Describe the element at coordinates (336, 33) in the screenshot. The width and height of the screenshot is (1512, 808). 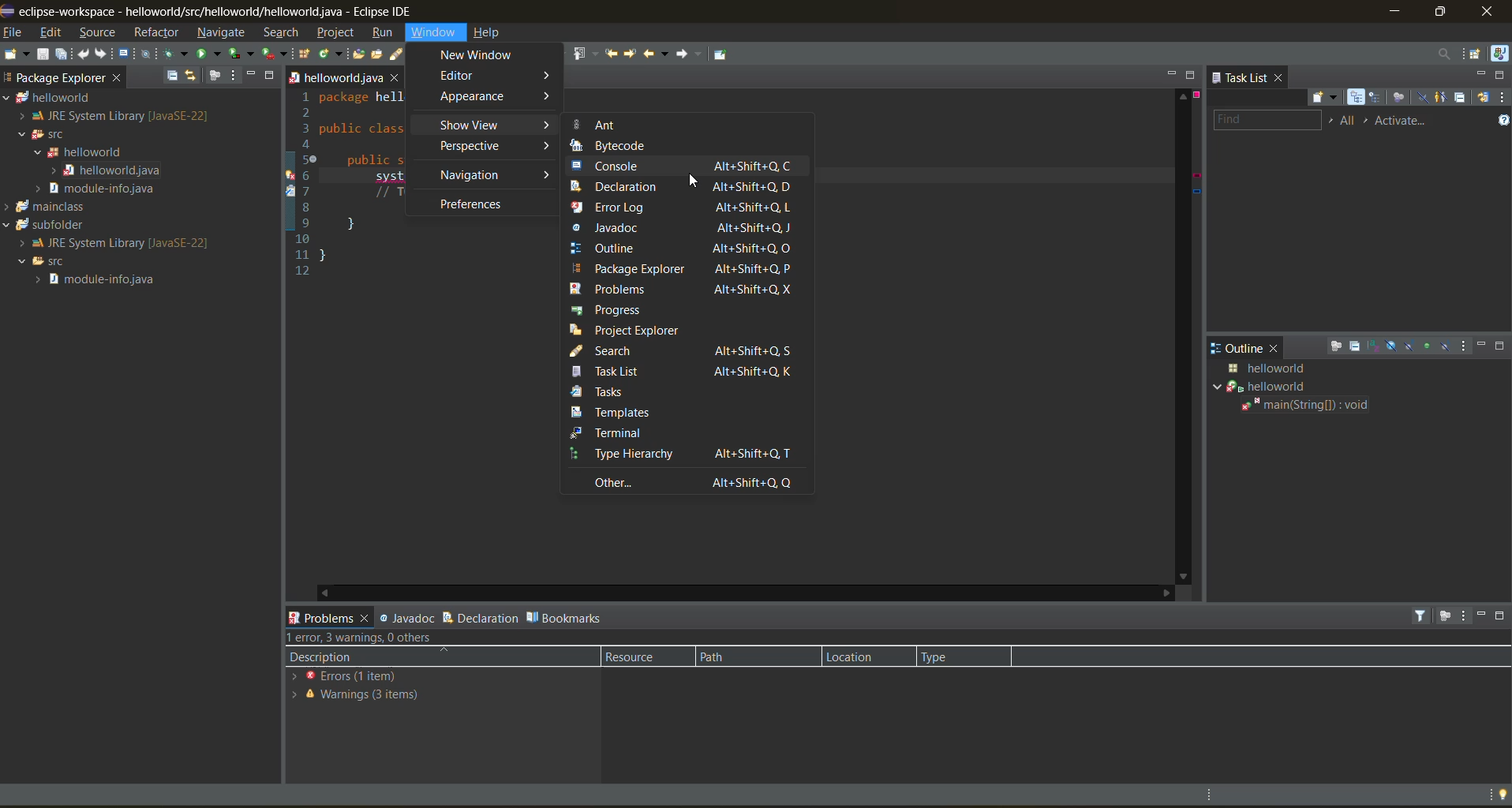
I see `project` at that location.